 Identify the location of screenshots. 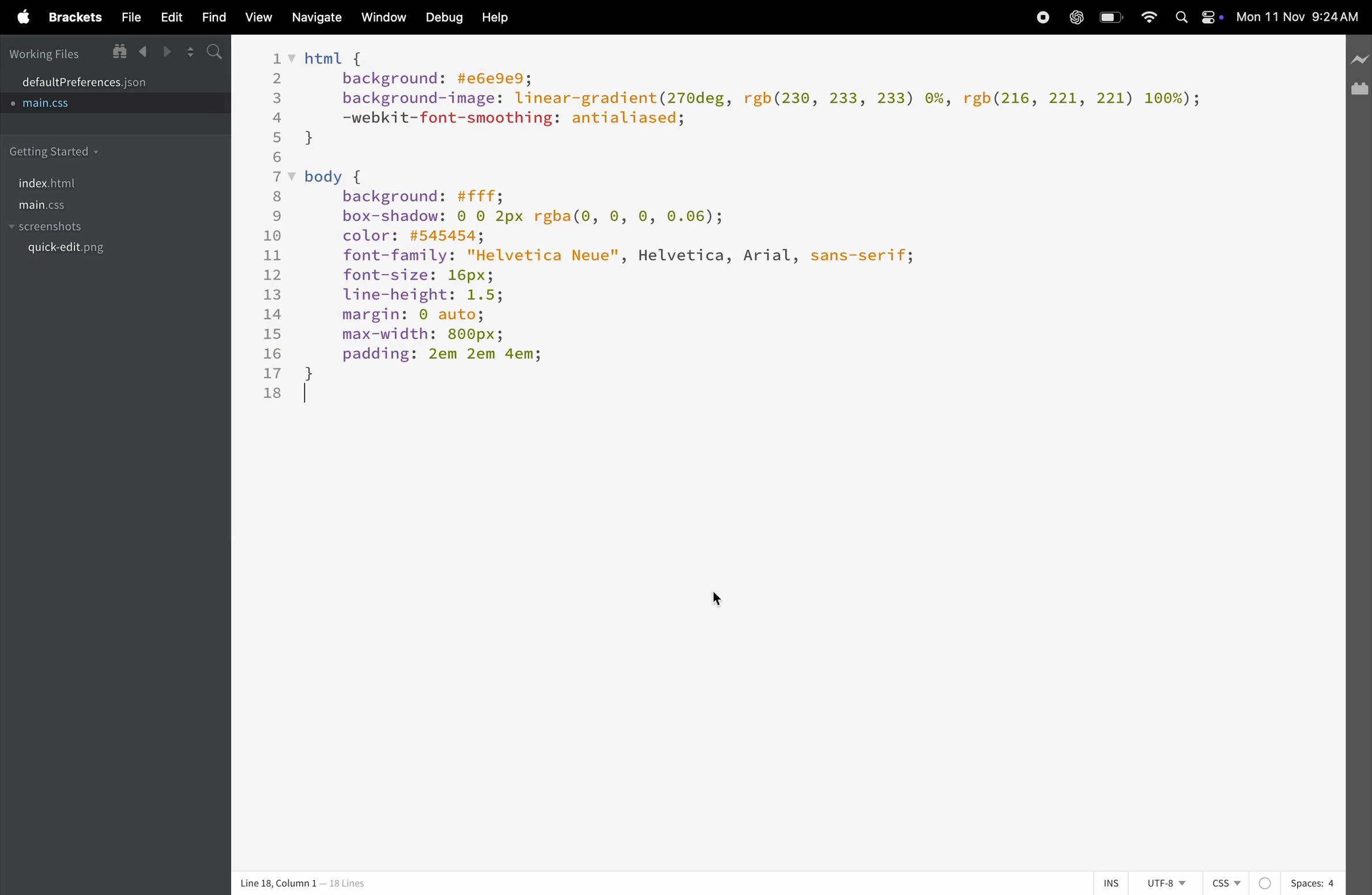
(51, 228).